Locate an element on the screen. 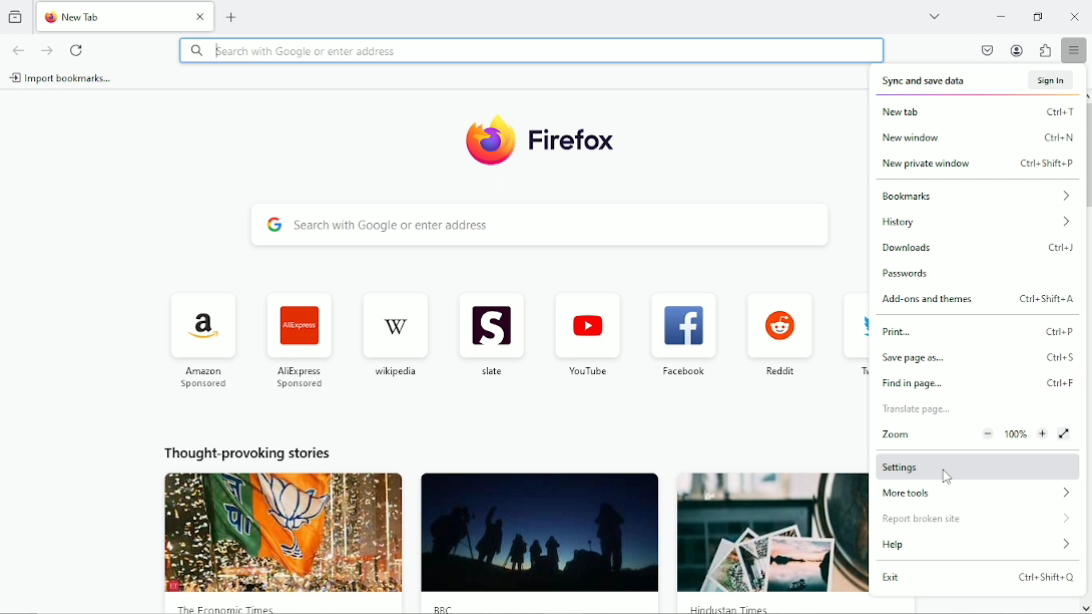 The width and height of the screenshot is (1092, 614). new private window is located at coordinates (979, 165).